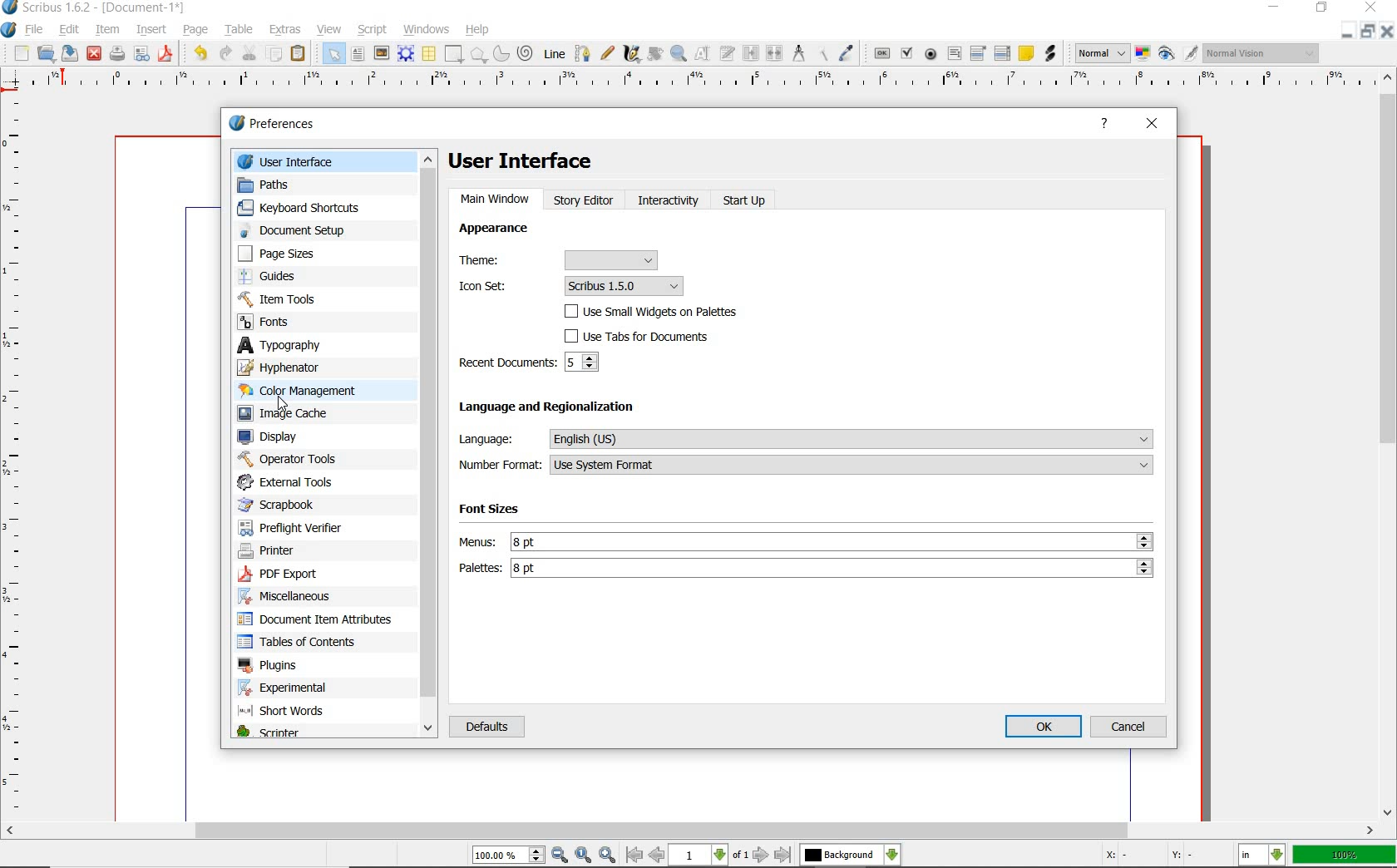 Image resolution: width=1397 pixels, height=868 pixels. I want to click on line, so click(555, 53).